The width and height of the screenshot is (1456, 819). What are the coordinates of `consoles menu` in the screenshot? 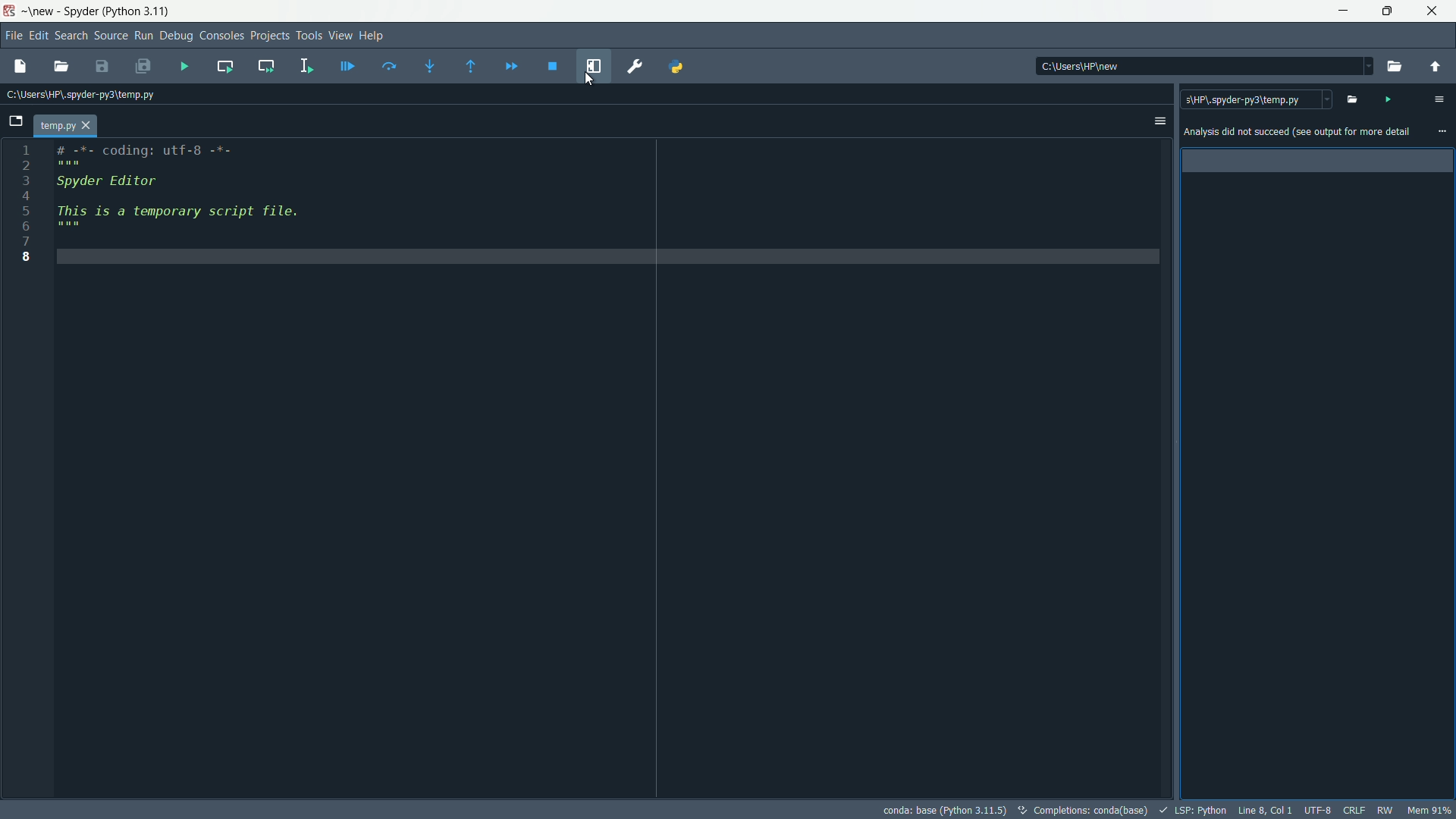 It's located at (219, 35).